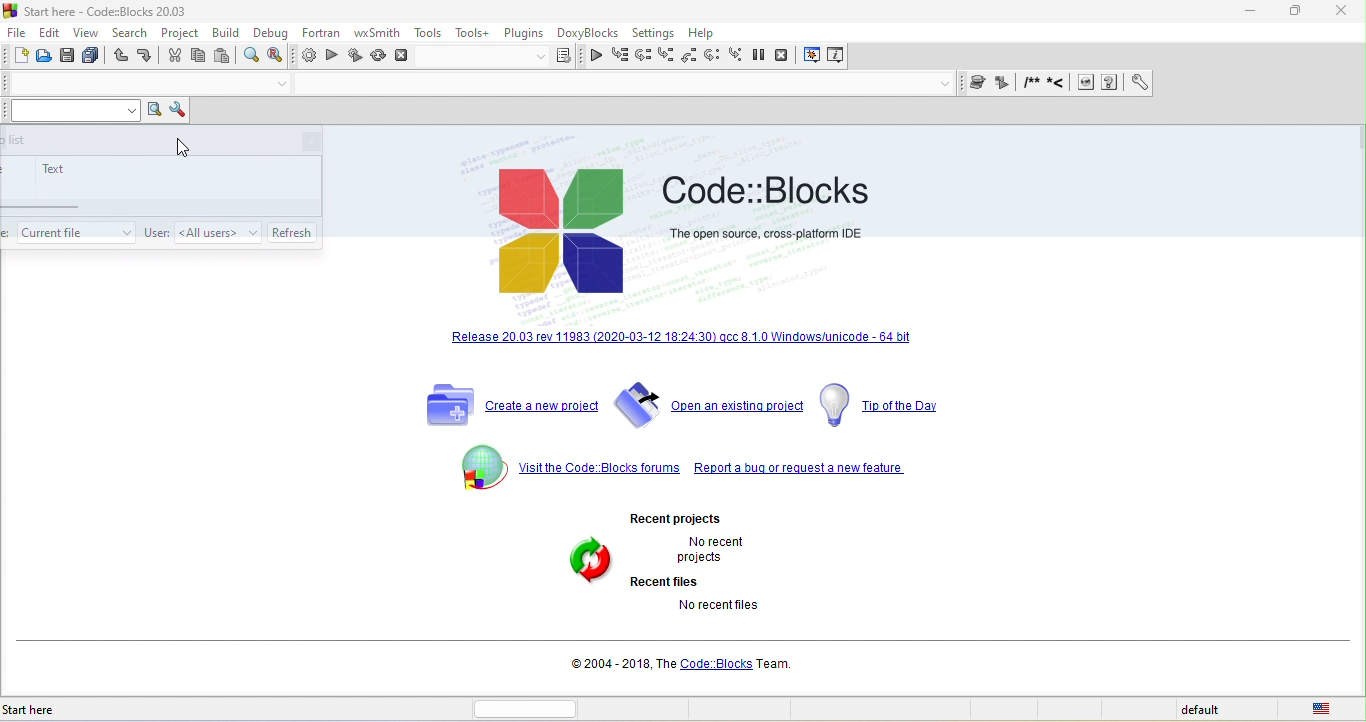  Describe the element at coordinates (813, 56) in the screenshot. I see `debugging window` at that location.